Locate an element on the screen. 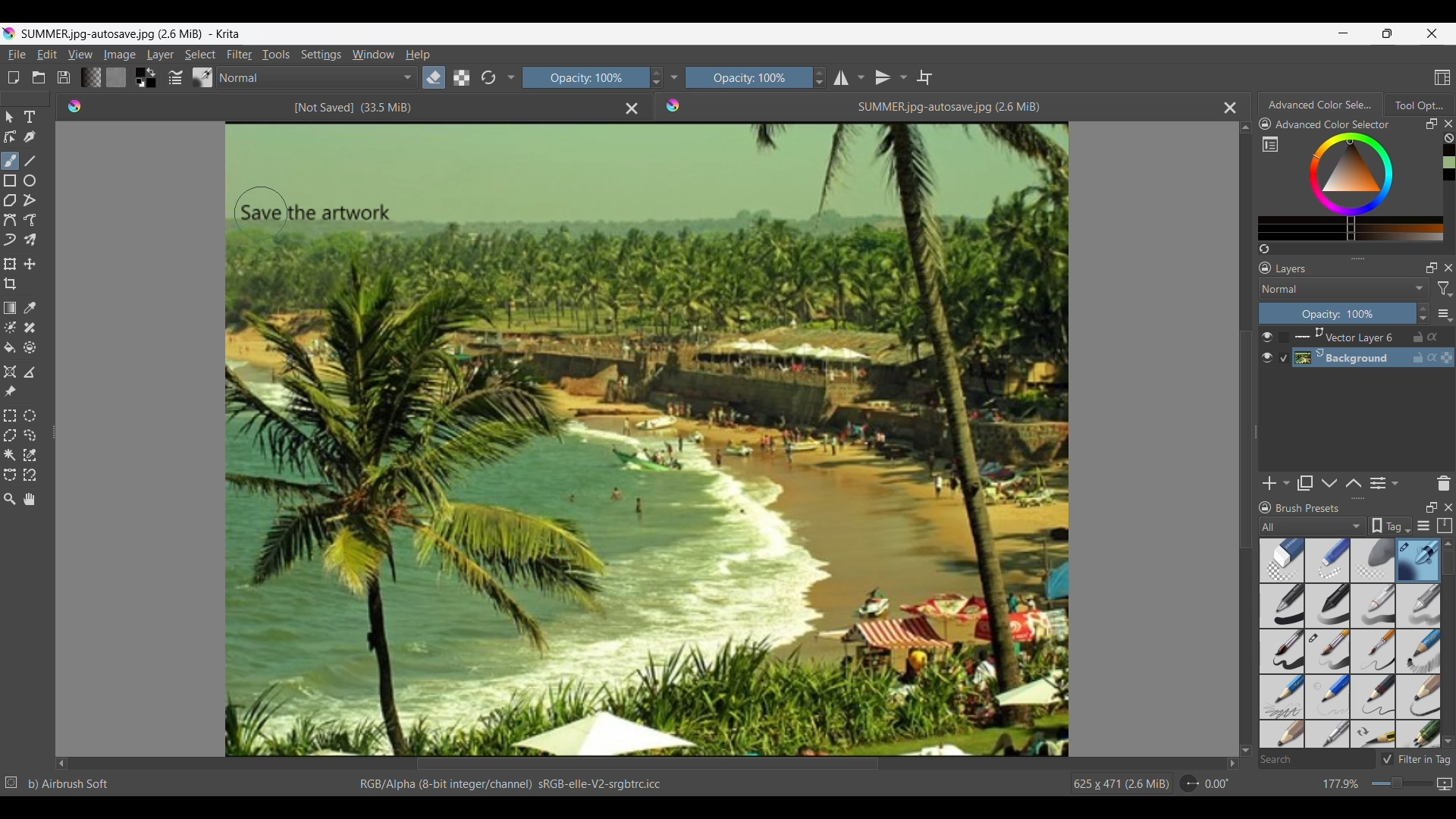  Filter options is located at coordinates (1445, 289).